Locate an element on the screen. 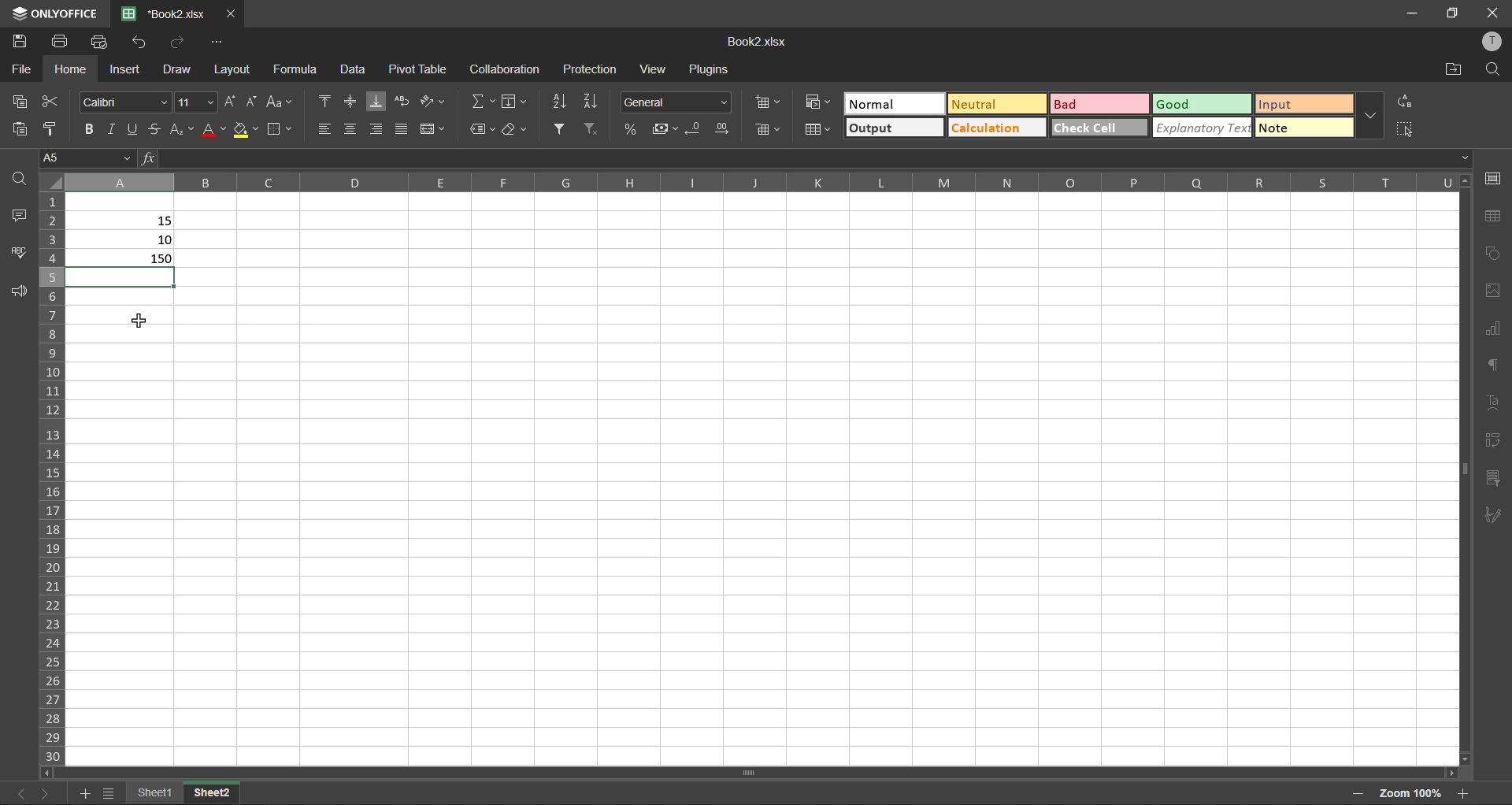  150 is located at coordinates (128, 257).